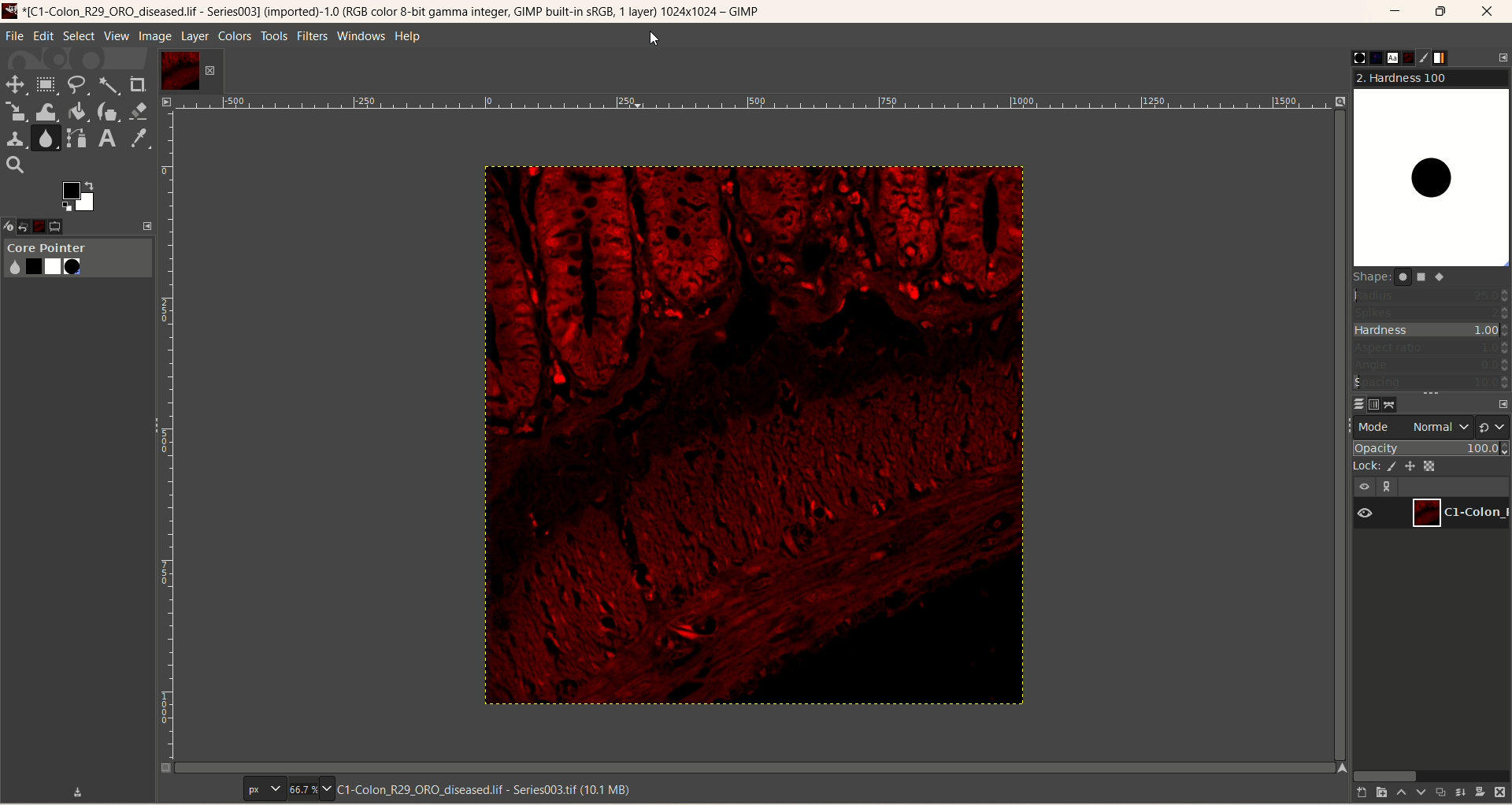 This screenshot has width=1512, height=805. What do you see at coordinates (1386, 57) in the screenshot?
I see `fonts` at bounding box center [1386, 57].